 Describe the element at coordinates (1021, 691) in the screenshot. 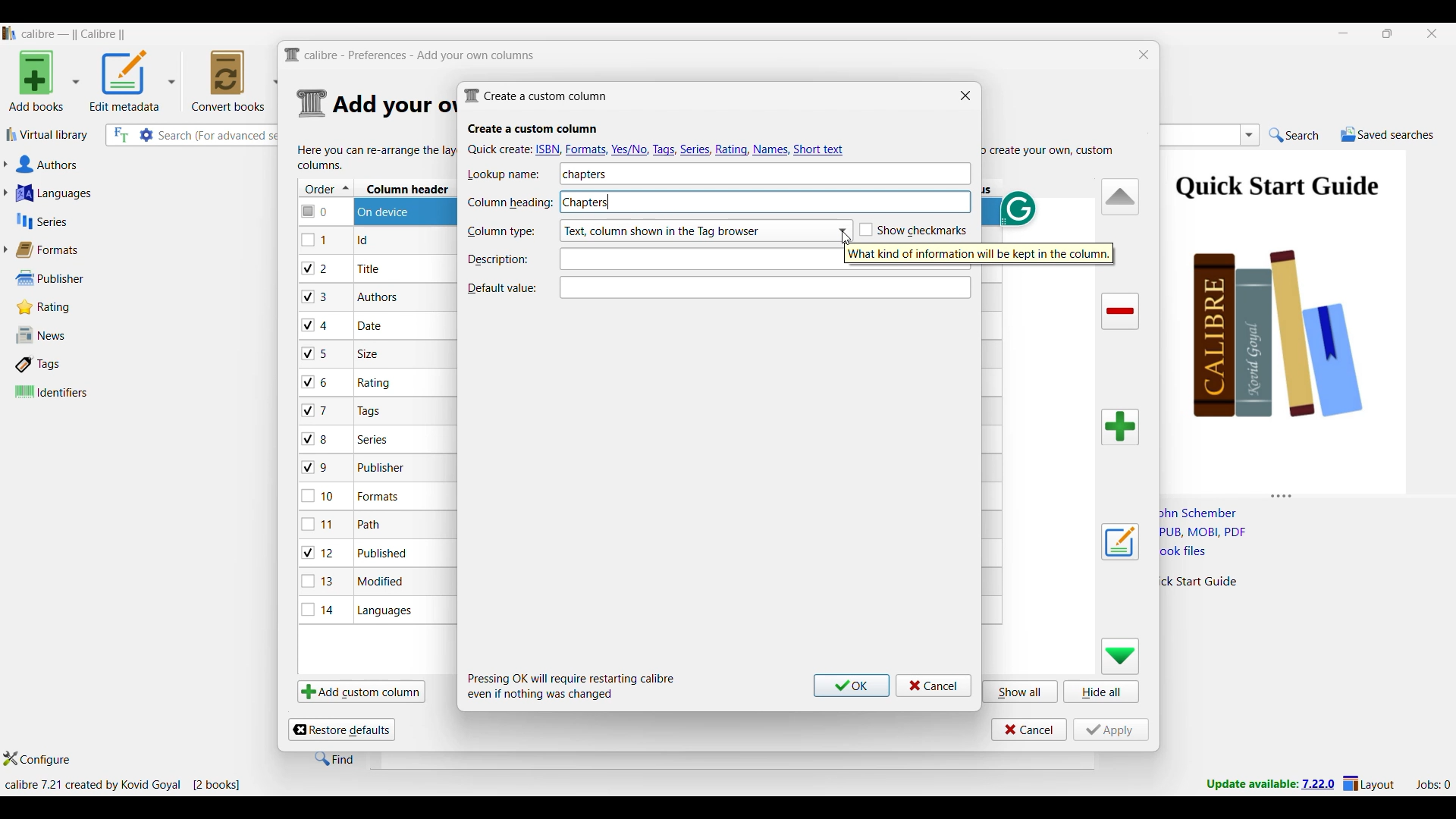

I see `Show all` at that location.